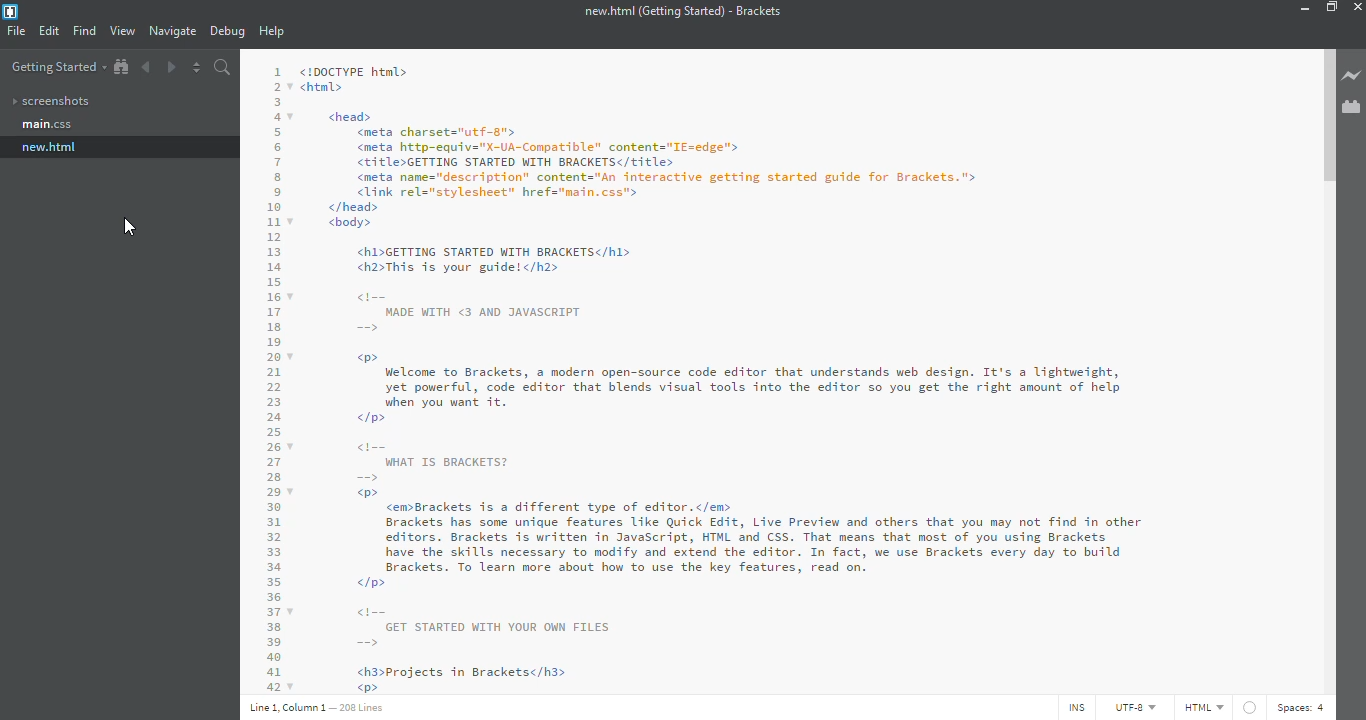 The width and height of the screenshot is (1366, 720). I want to click on screenshots, so click(50, 101).